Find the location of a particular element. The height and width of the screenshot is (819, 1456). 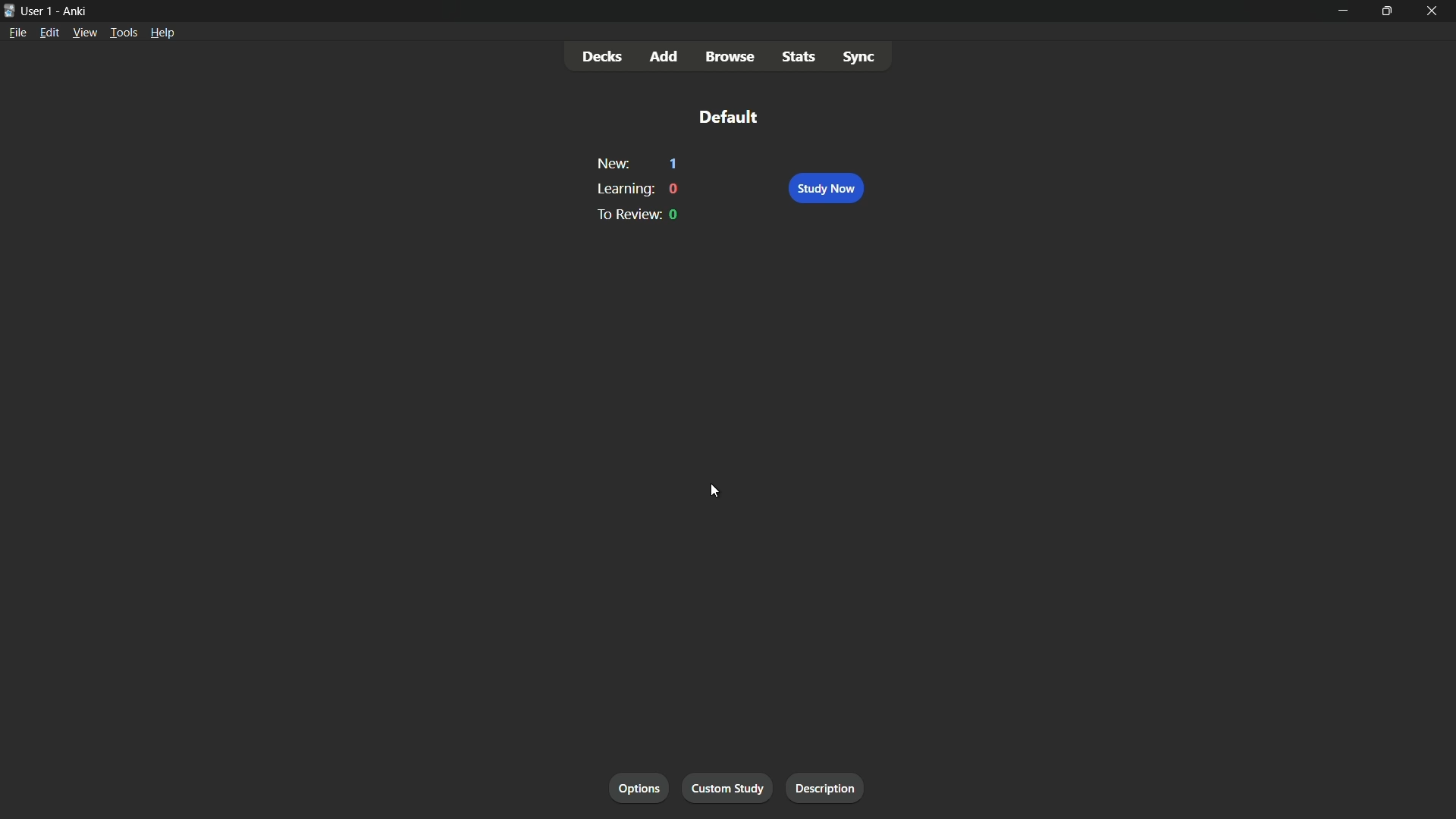

add is located at coordinates (665, 55).